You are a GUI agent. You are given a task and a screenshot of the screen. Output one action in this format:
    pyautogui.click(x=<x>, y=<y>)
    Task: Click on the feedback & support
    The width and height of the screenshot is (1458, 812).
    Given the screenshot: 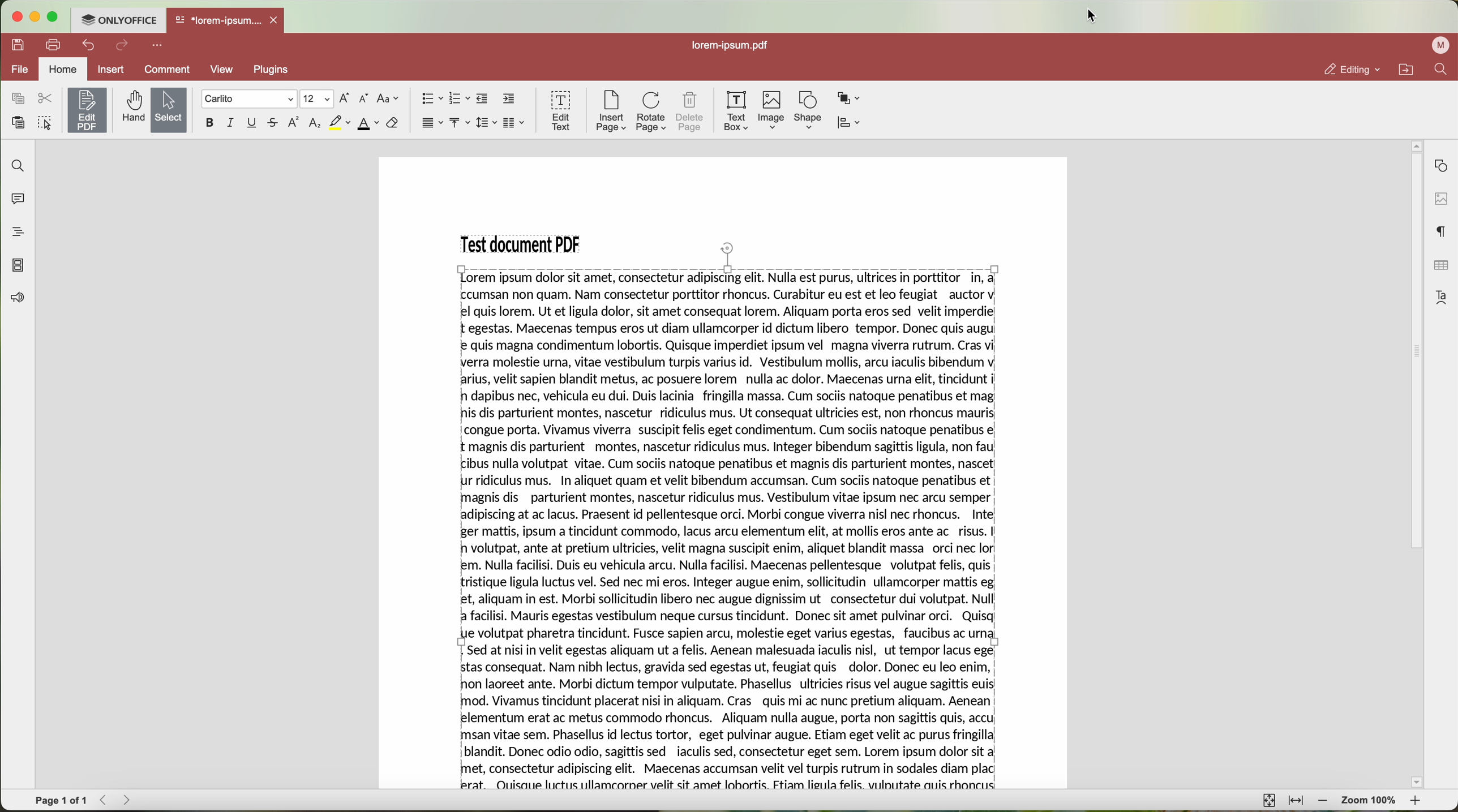 What is the action you would take?
    pyautogui.click(x=20, y=299)
    